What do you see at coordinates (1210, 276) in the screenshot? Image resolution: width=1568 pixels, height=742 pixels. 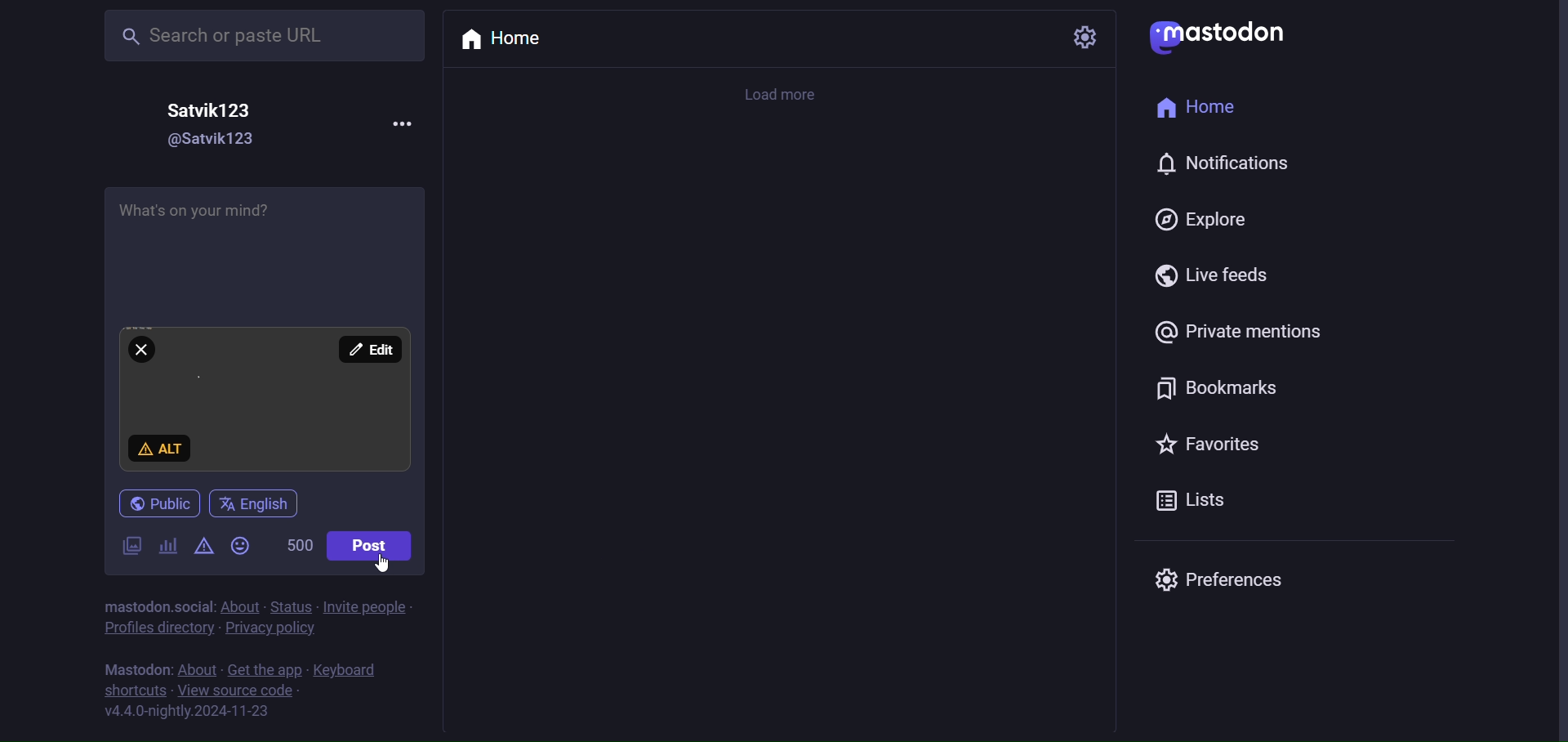 I see `live feed` at bounding box center [1210, 276].